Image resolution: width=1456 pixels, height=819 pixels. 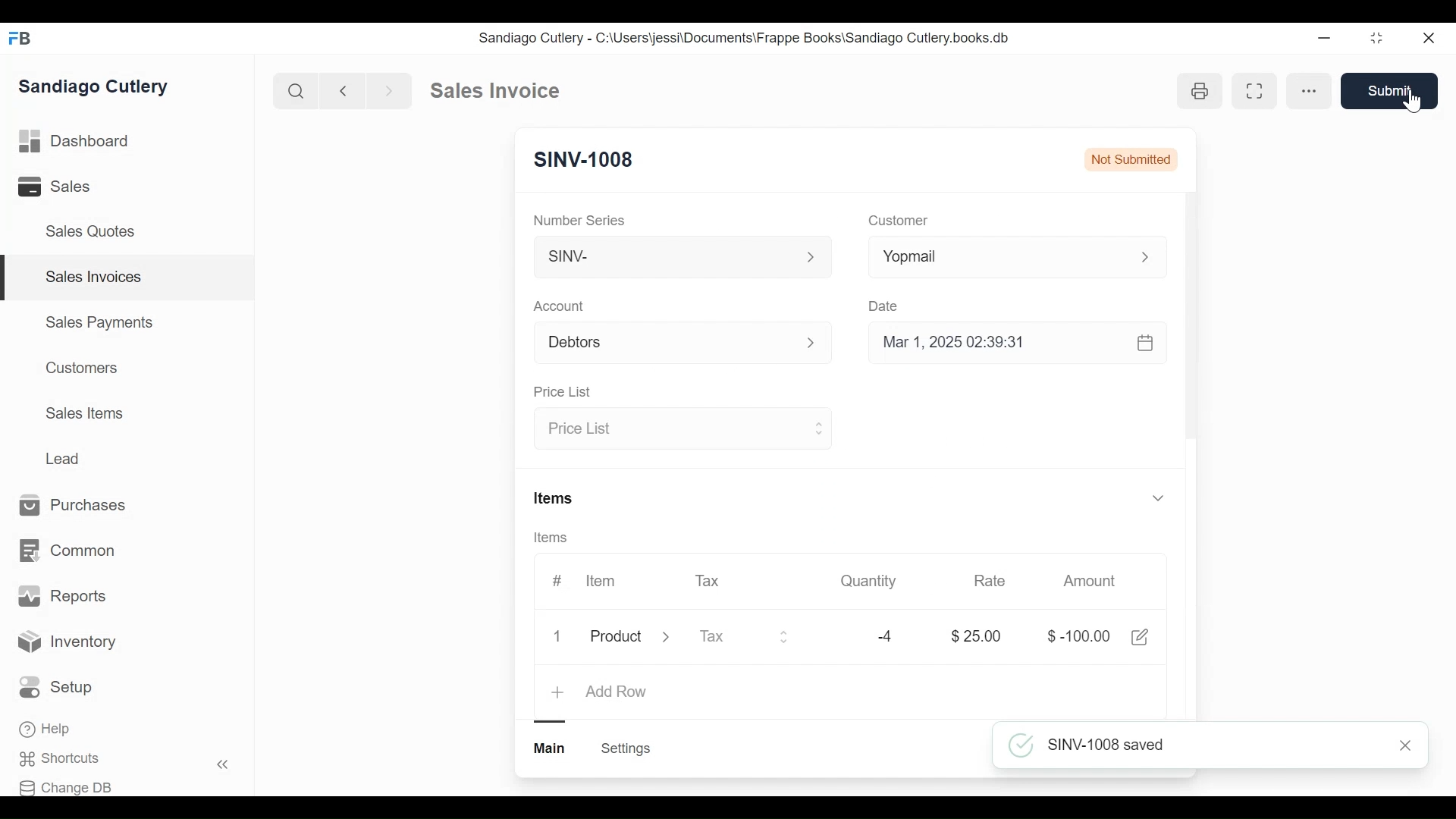 What do you see at coordinates (296, 89) in the screenshot?
I see `Search` at bounding box center [296, 89].